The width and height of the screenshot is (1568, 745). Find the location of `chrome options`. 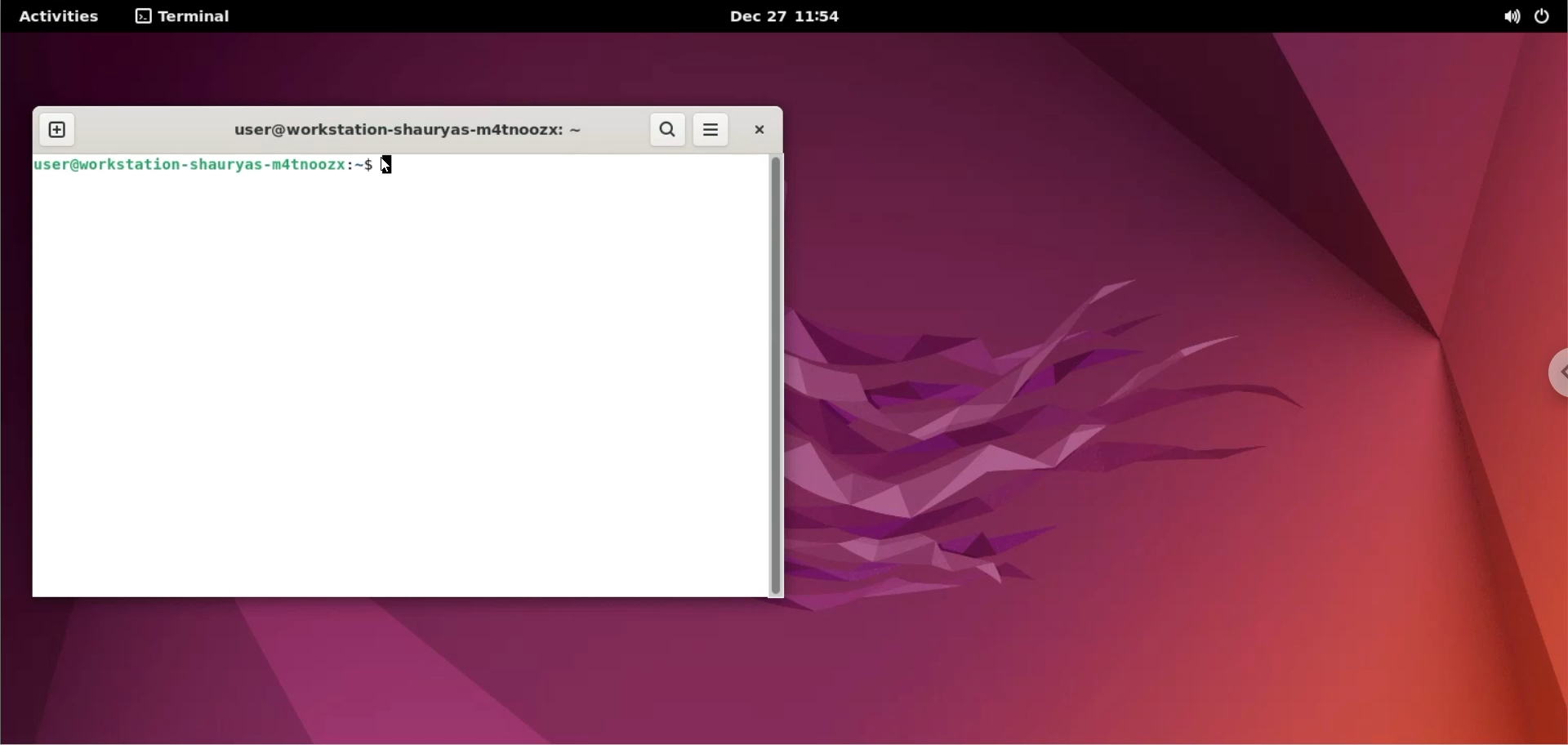

chrome options is located at coordinates (1553, 373).